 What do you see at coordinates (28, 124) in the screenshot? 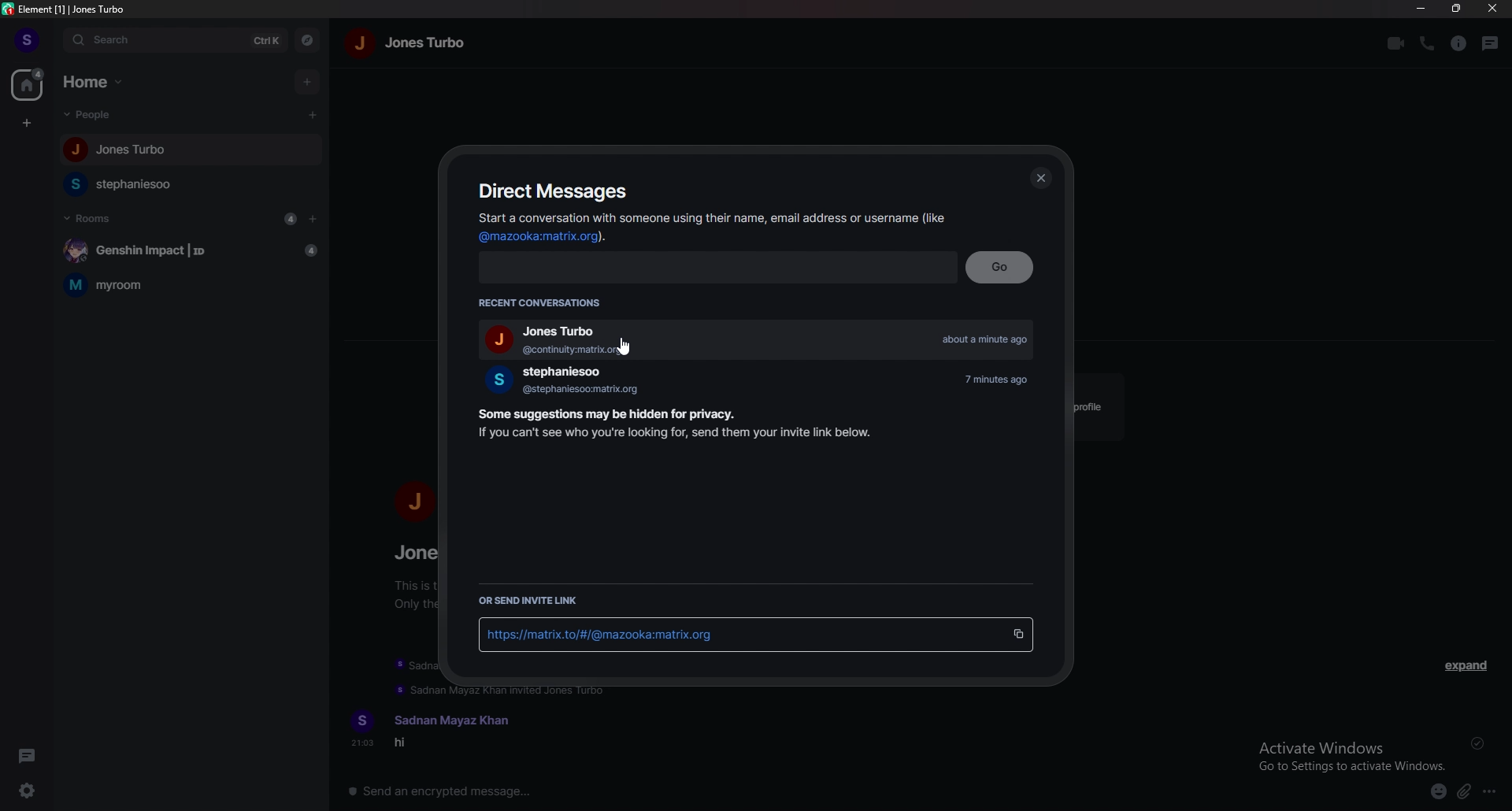
I see `create space` at bounding box center [28, 124].